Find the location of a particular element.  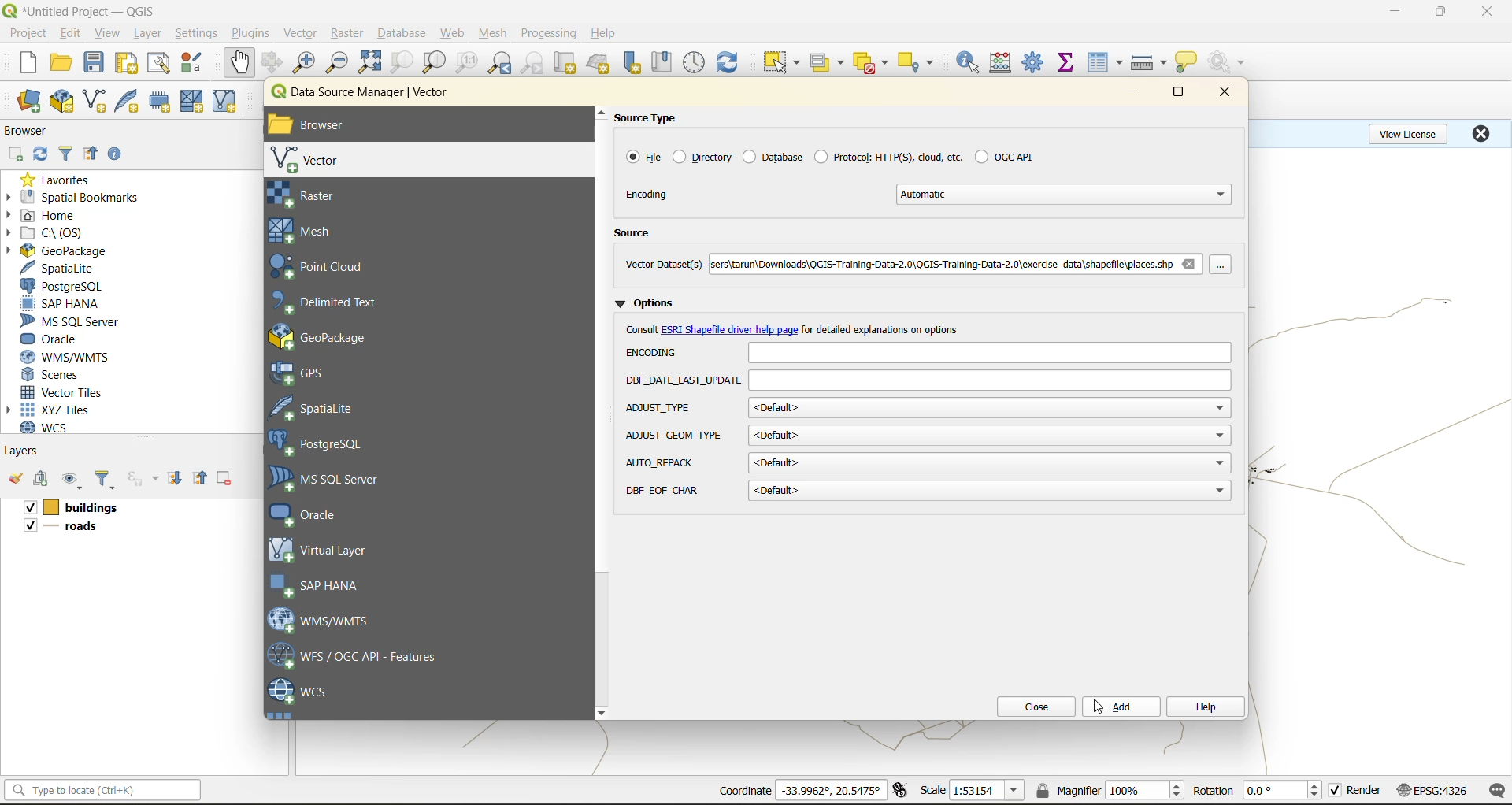

attributes table is located at coordinates (1106, 64).